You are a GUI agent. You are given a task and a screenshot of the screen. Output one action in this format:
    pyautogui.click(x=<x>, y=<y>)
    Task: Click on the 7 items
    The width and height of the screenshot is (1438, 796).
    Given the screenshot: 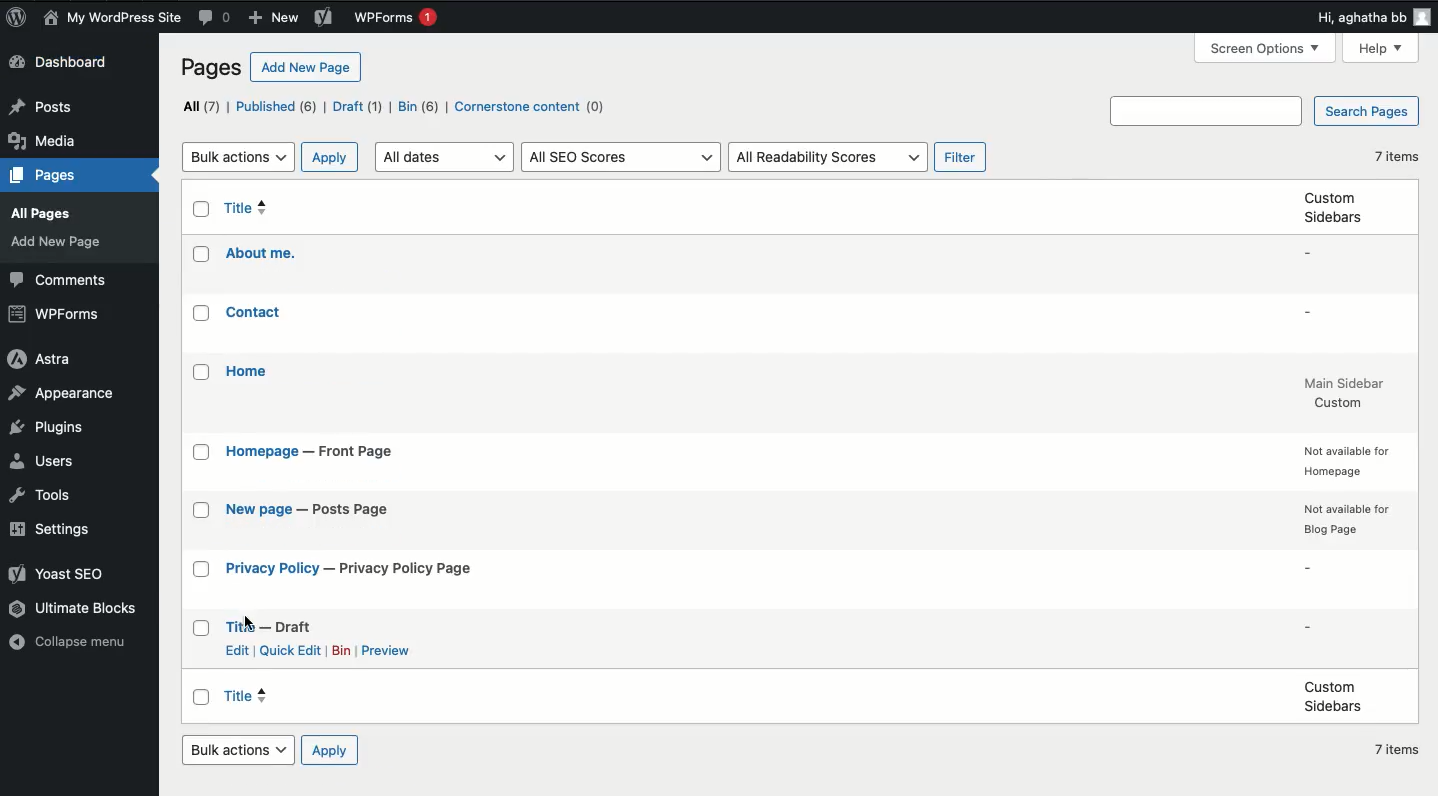 What is the action you would take?
    pyautogui.click(x=1399, y=157)
    